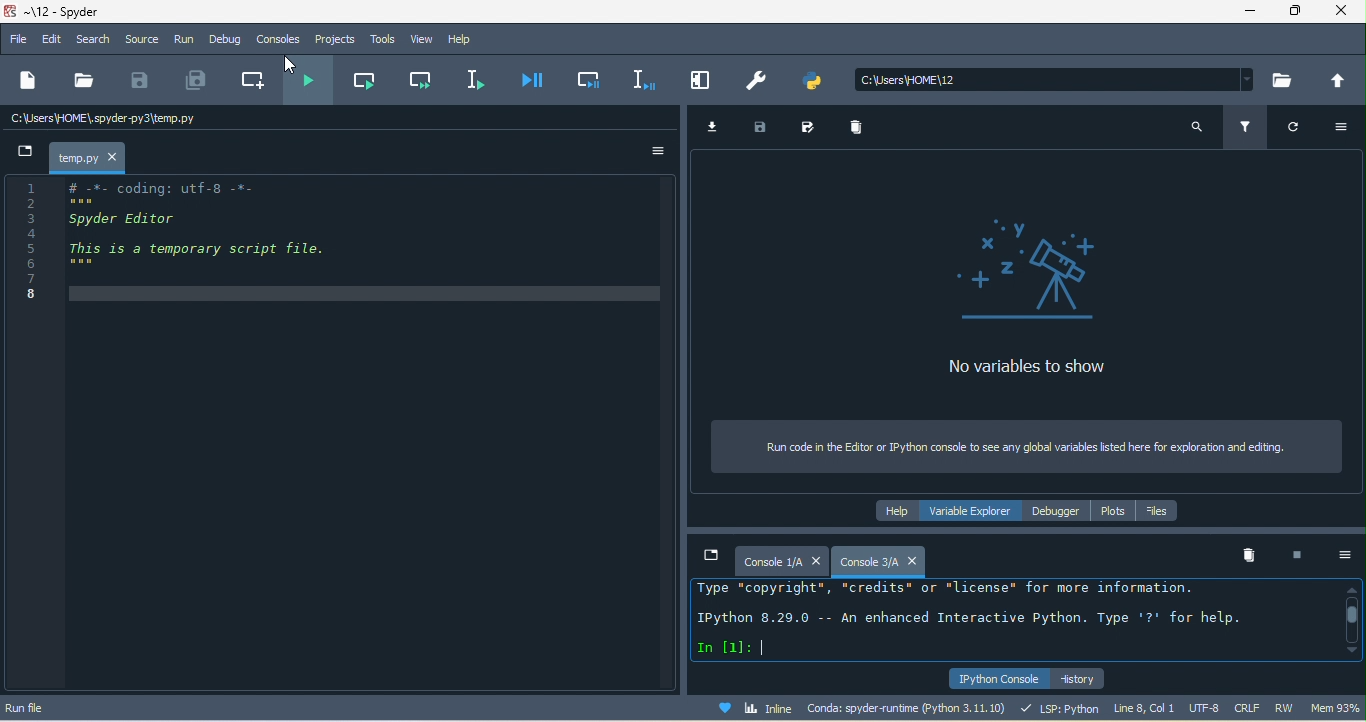 The width and height of the screenshot is (1366, 722). What do you see at coordinates (195, 80) in the screenshot?
I see `save all` at bounding box center [195, 80].